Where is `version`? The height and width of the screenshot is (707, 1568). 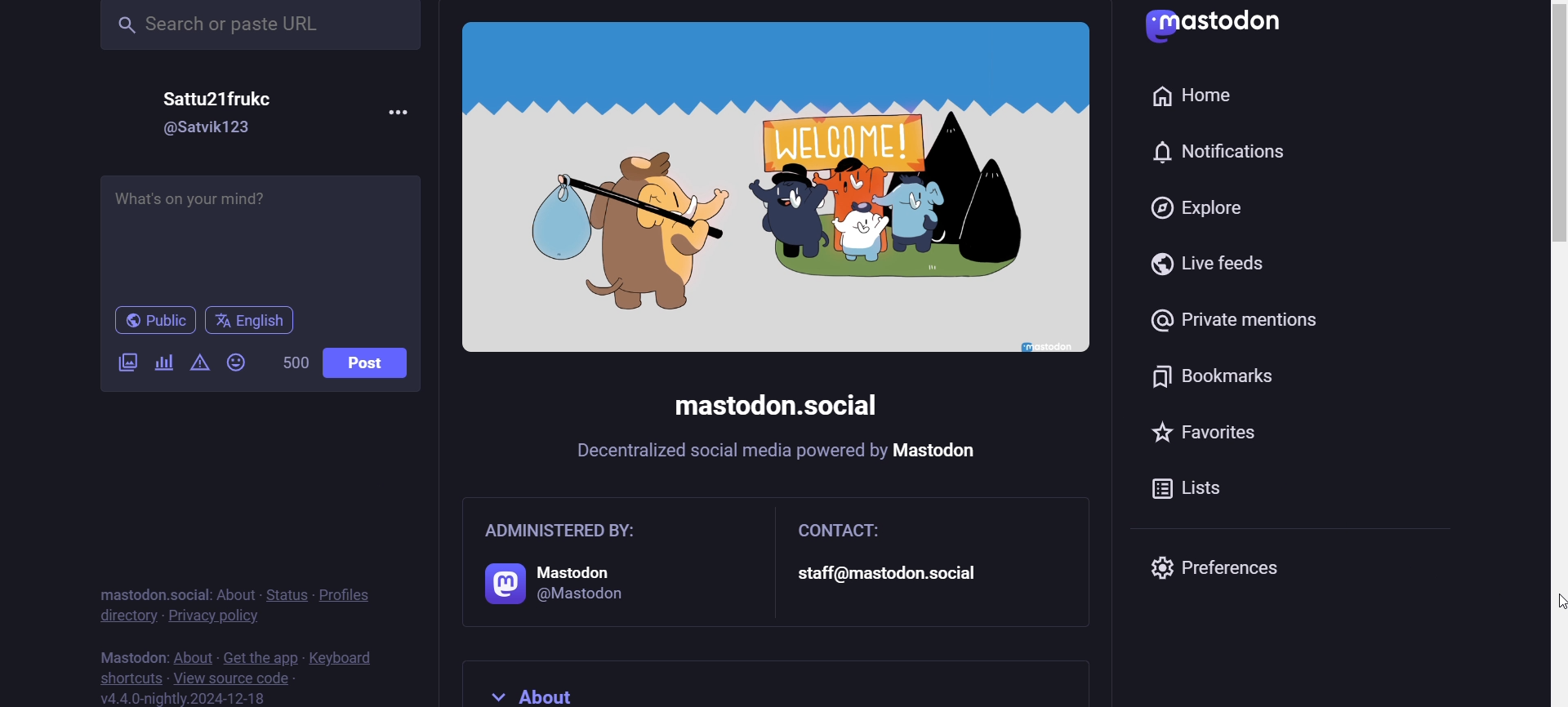
version is located at coordinates (186, 698).